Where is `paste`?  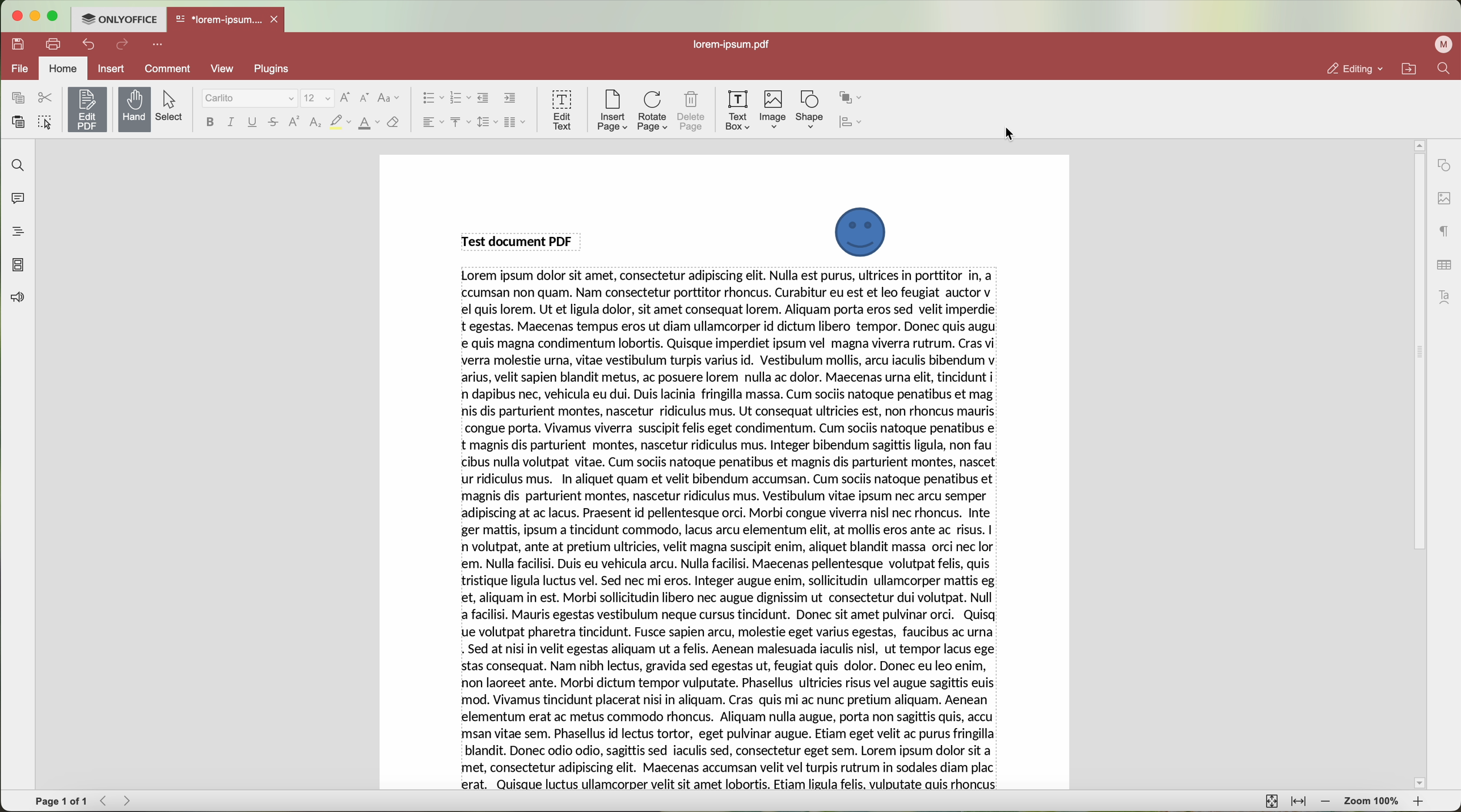
paste is located at coordinates (19, 122).